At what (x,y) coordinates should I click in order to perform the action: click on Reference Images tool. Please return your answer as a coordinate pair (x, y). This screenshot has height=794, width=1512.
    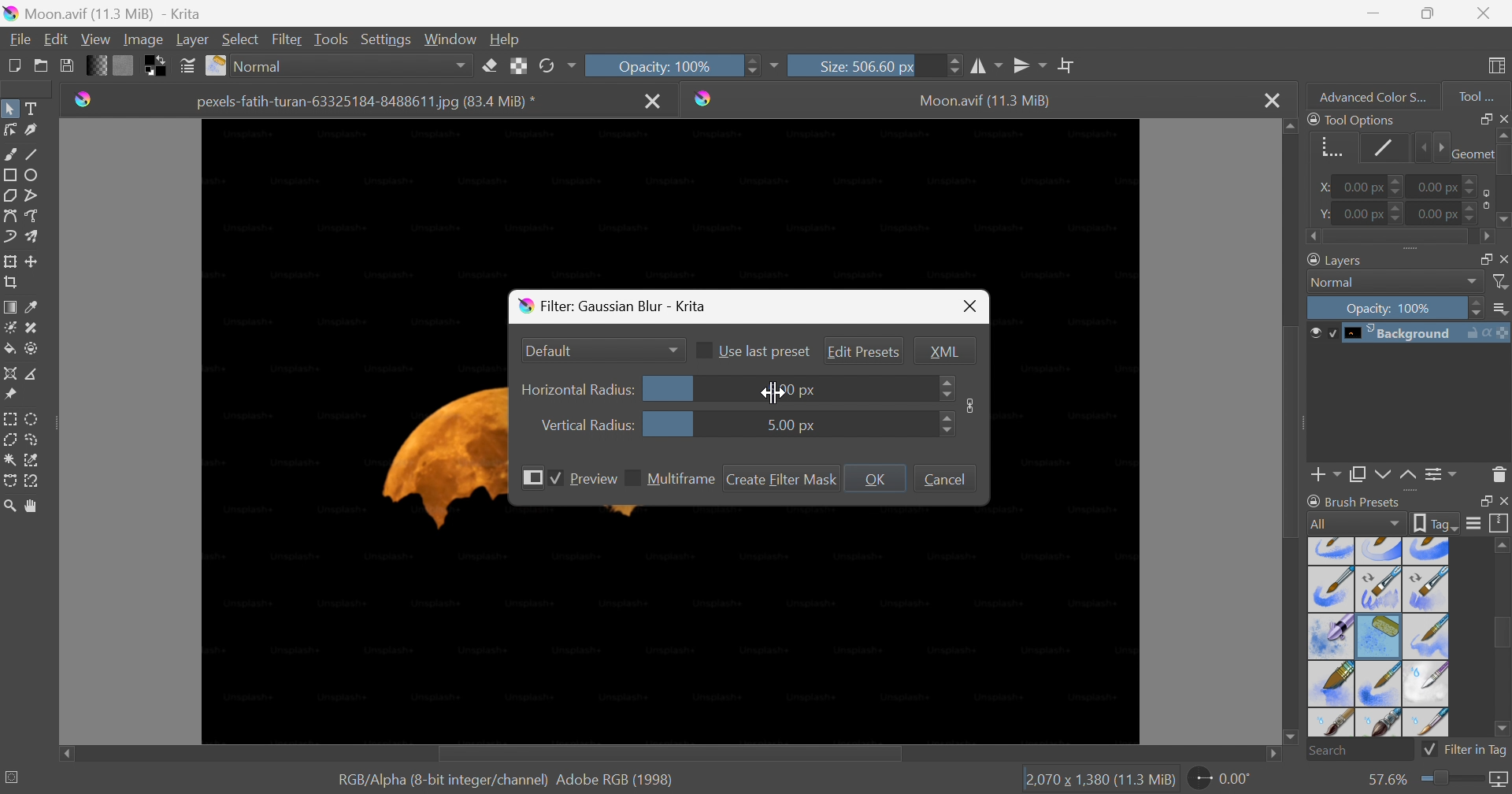
    Looking at the image, I should click on (13, 393).